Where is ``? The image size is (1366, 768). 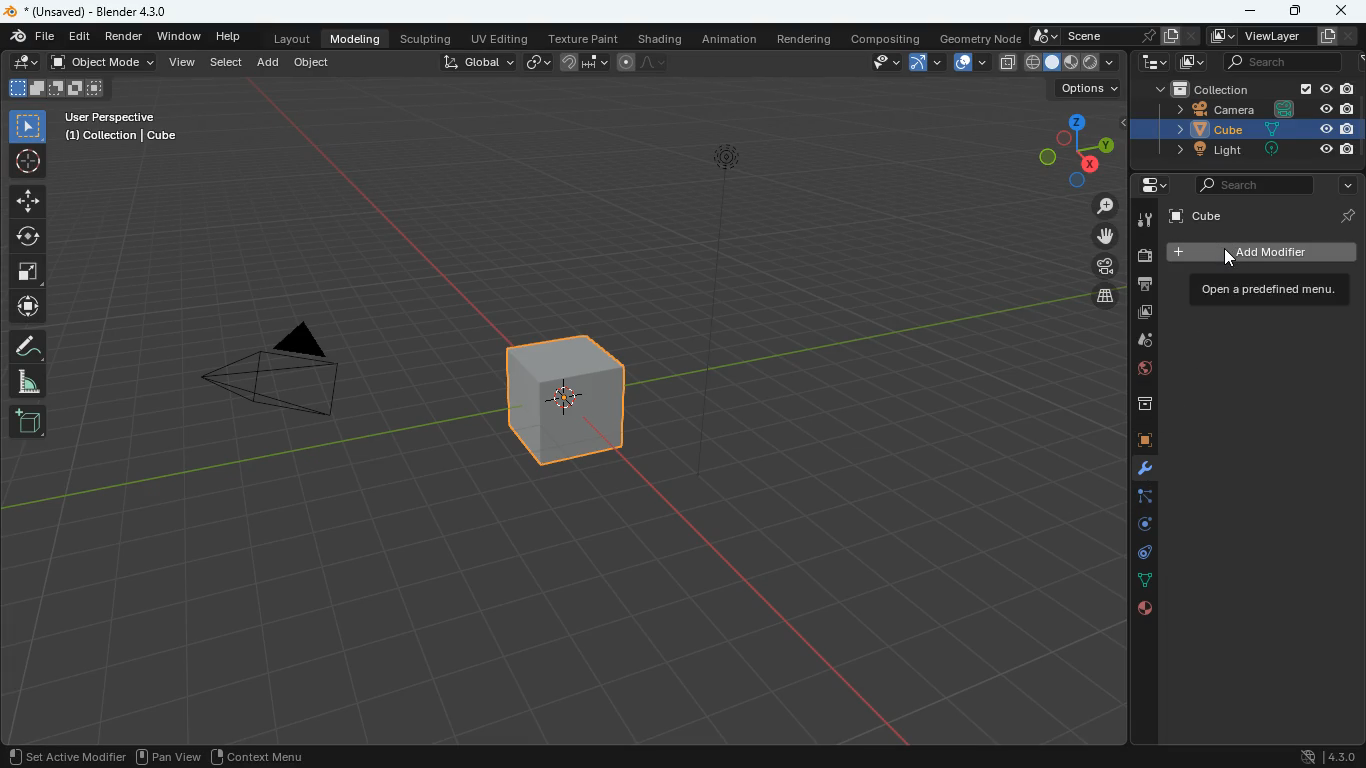
 is located at coordinates (1322, 149).